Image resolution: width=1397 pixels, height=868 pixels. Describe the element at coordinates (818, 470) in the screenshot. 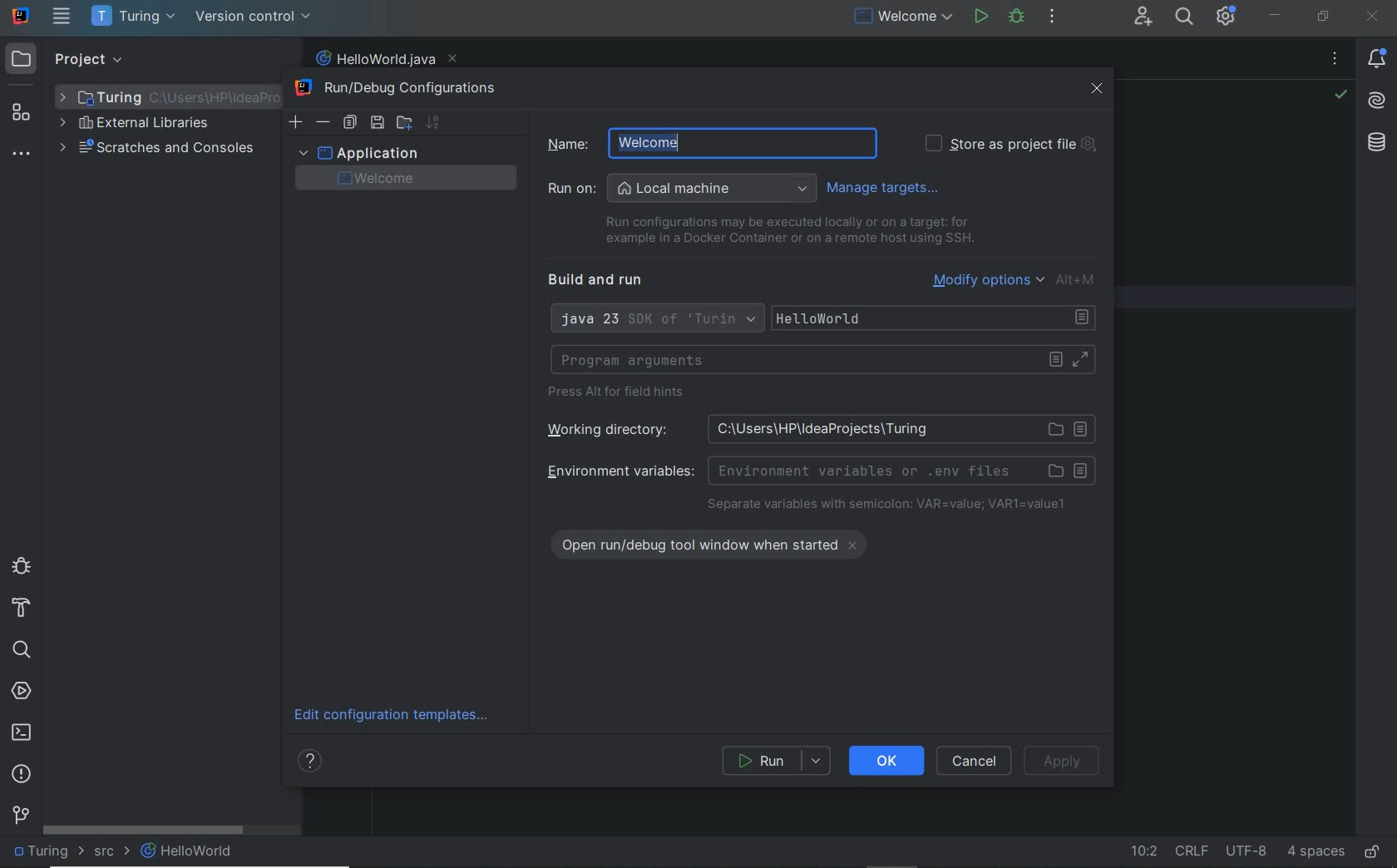

I see `Environment cariables` at that location.